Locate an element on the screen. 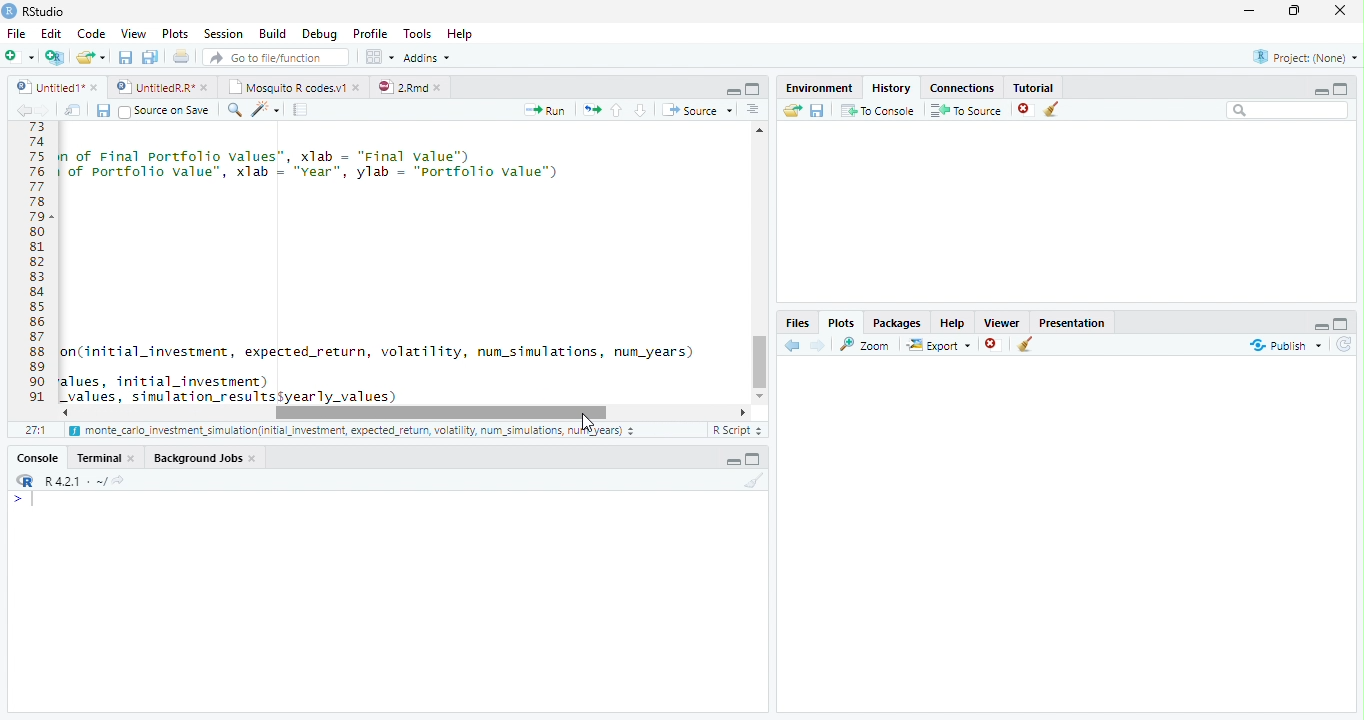 This screenshot has width=1364, height=720. Scroll down is located at coordinates (761, 393).